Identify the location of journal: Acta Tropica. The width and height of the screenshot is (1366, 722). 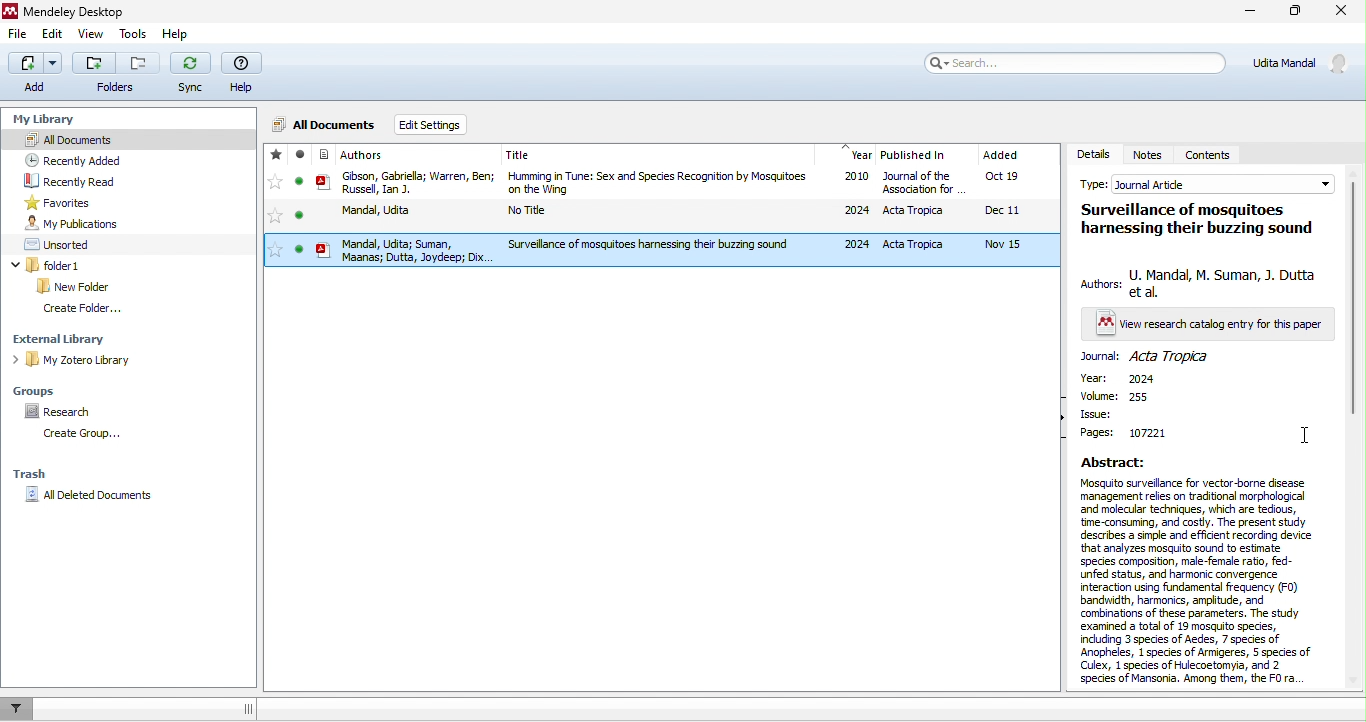
(1152, 360).